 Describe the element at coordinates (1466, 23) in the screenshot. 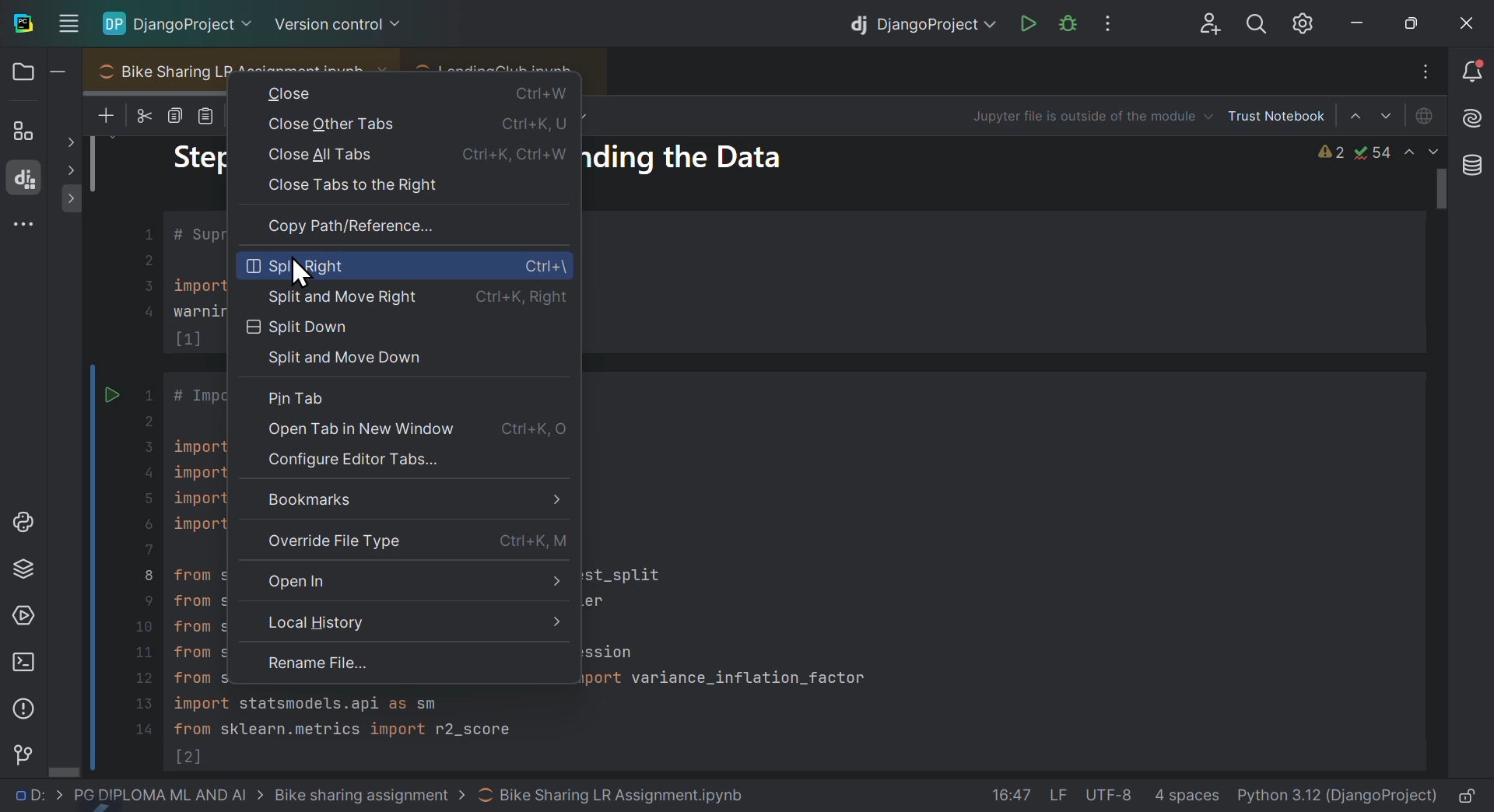

I see `close` at that location.